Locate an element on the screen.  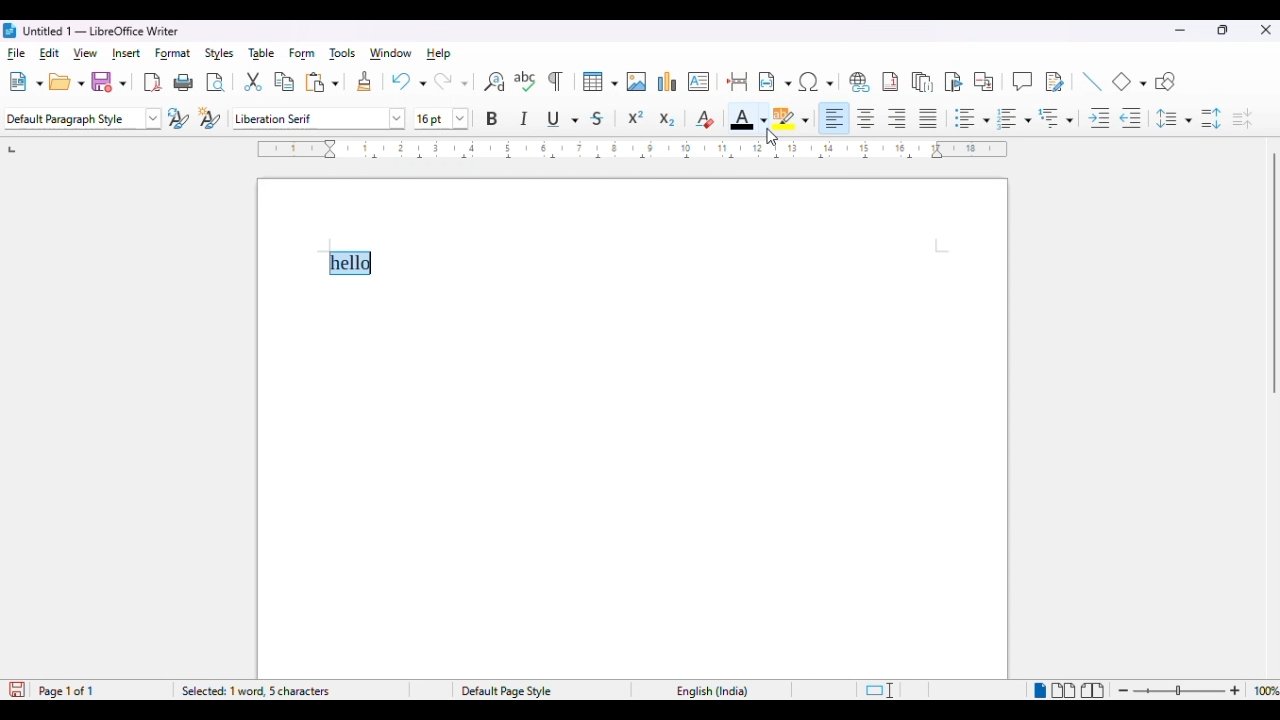
paste is located at coordinates (322, 82).